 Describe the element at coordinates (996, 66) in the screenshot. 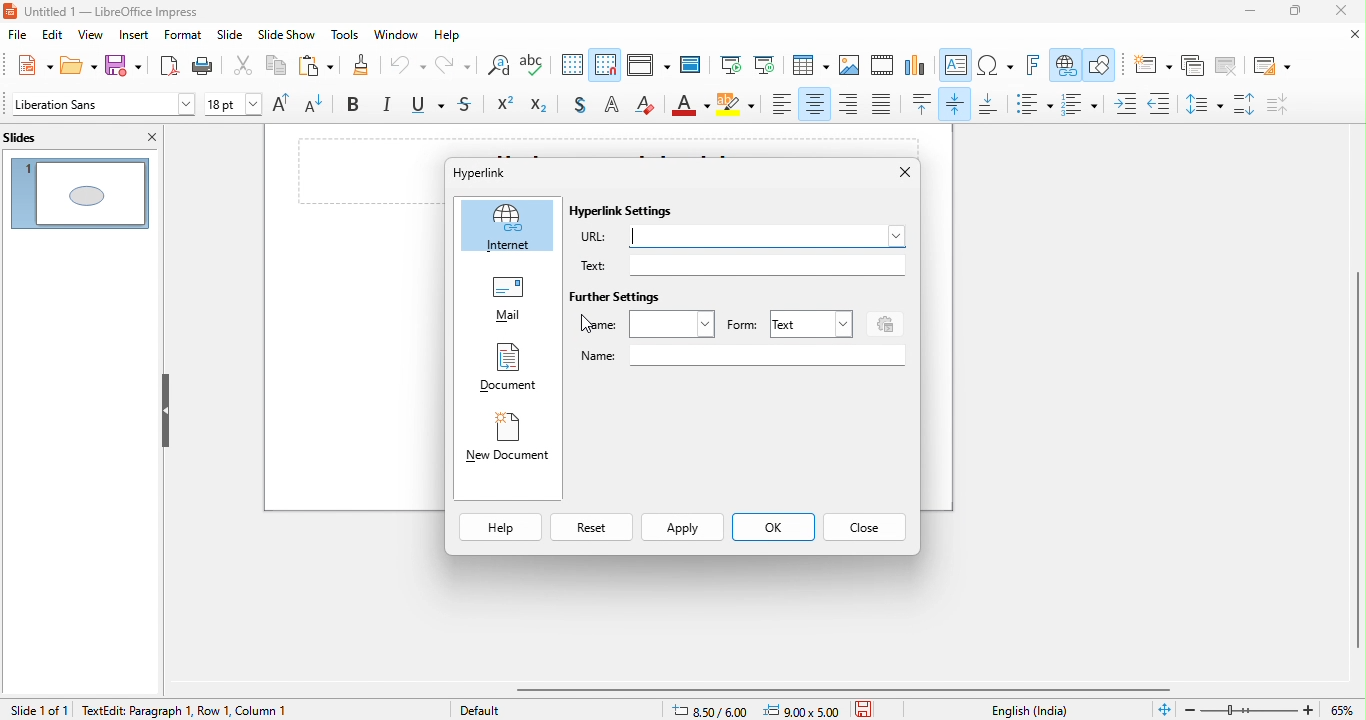

I see `special character` at that location.